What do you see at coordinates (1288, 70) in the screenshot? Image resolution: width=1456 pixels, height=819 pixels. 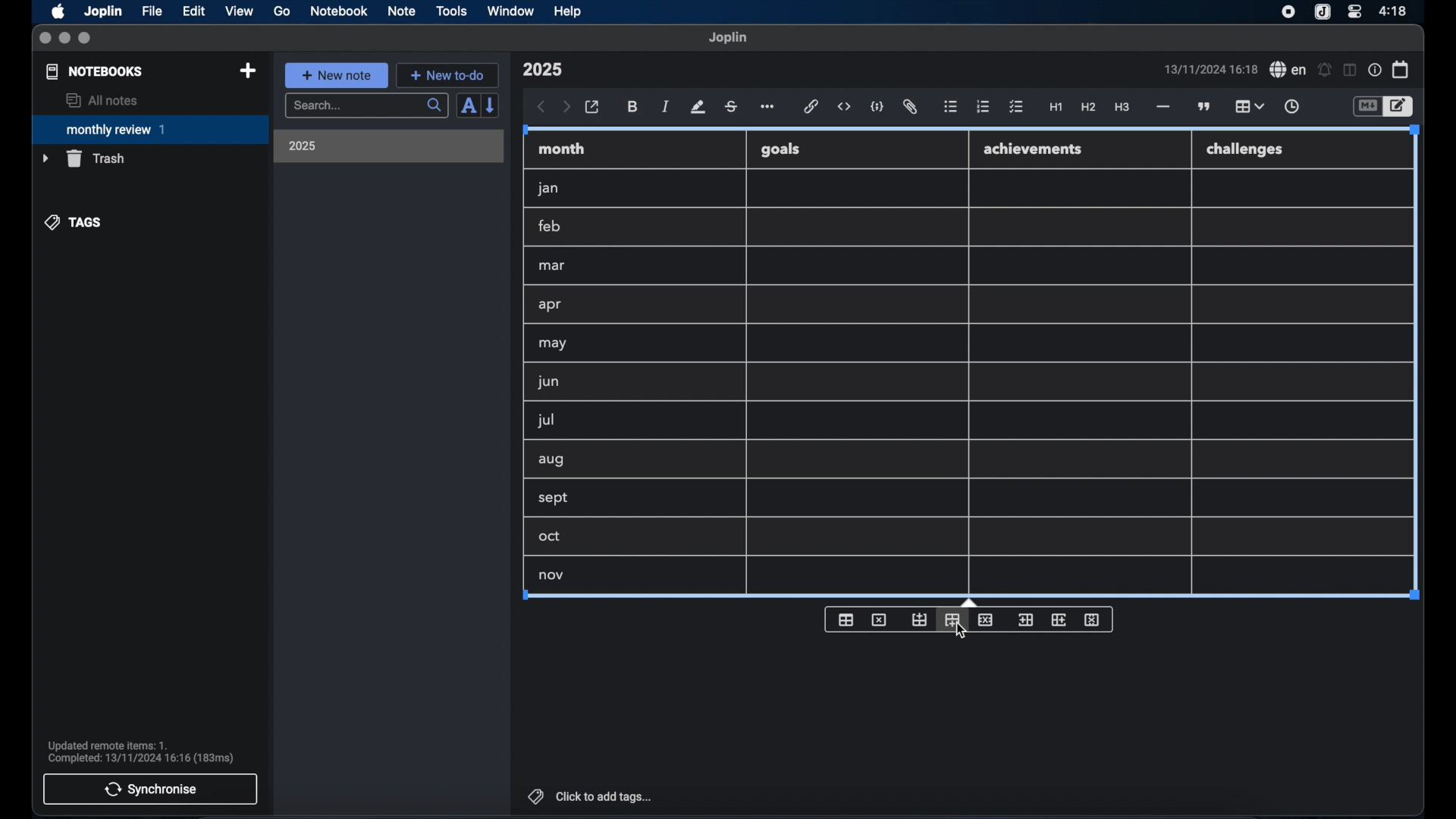 I see `spel check` at bounding box center [1288, 70].